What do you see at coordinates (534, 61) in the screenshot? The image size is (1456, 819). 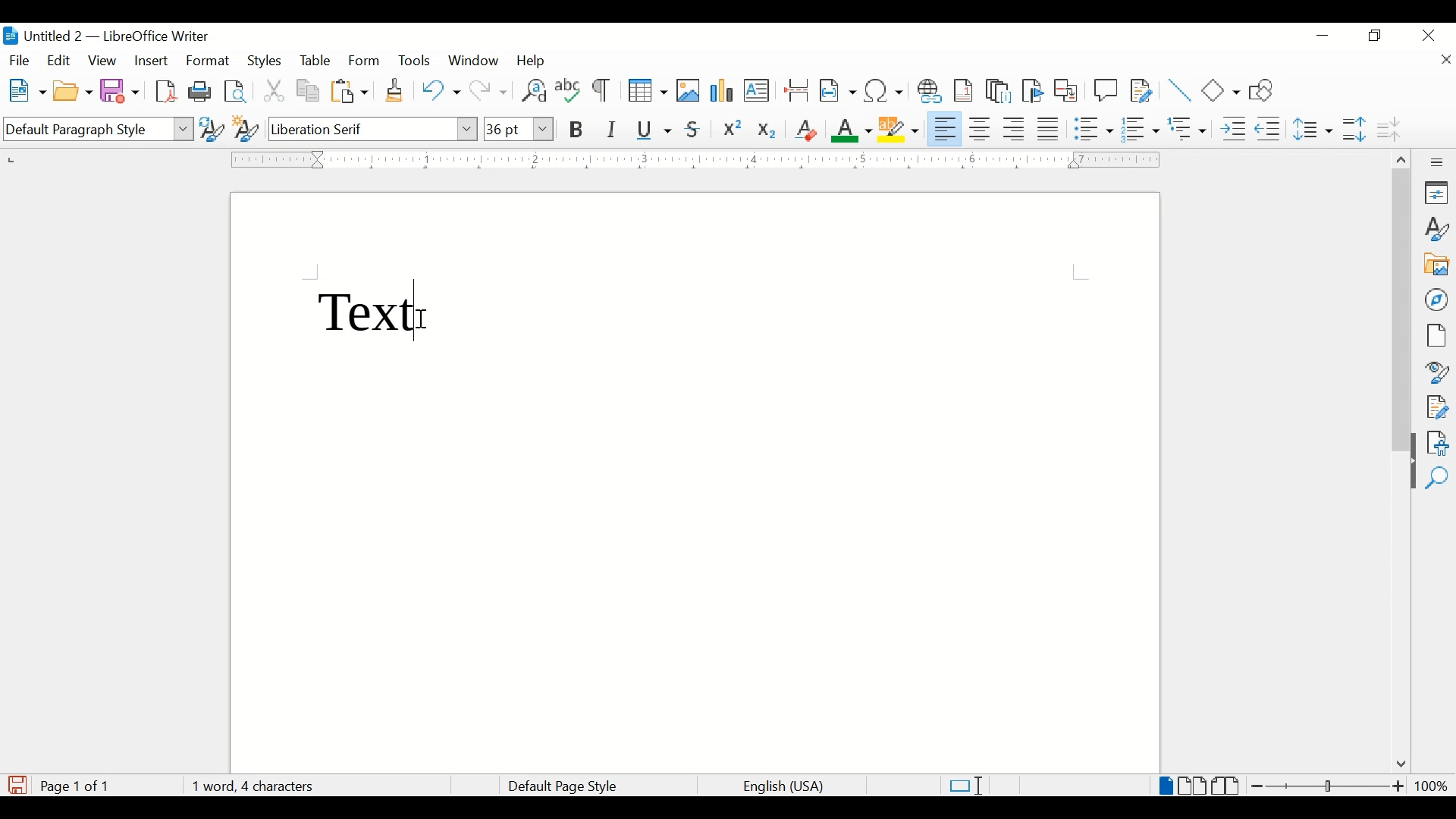 I see `help` at bounding box center [534, 61].